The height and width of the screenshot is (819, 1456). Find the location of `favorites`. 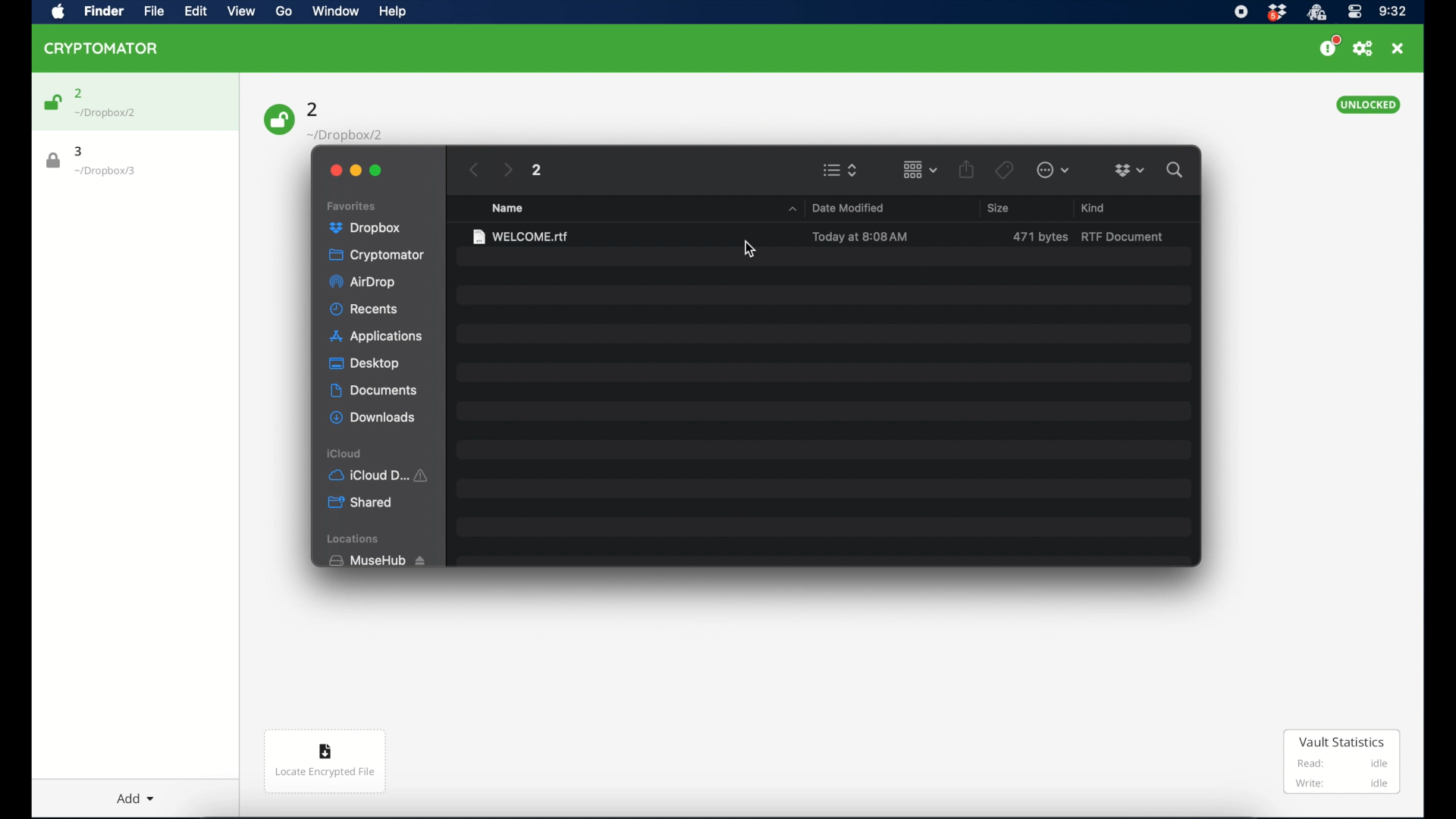

favorites is located at coordinates (353, 206).